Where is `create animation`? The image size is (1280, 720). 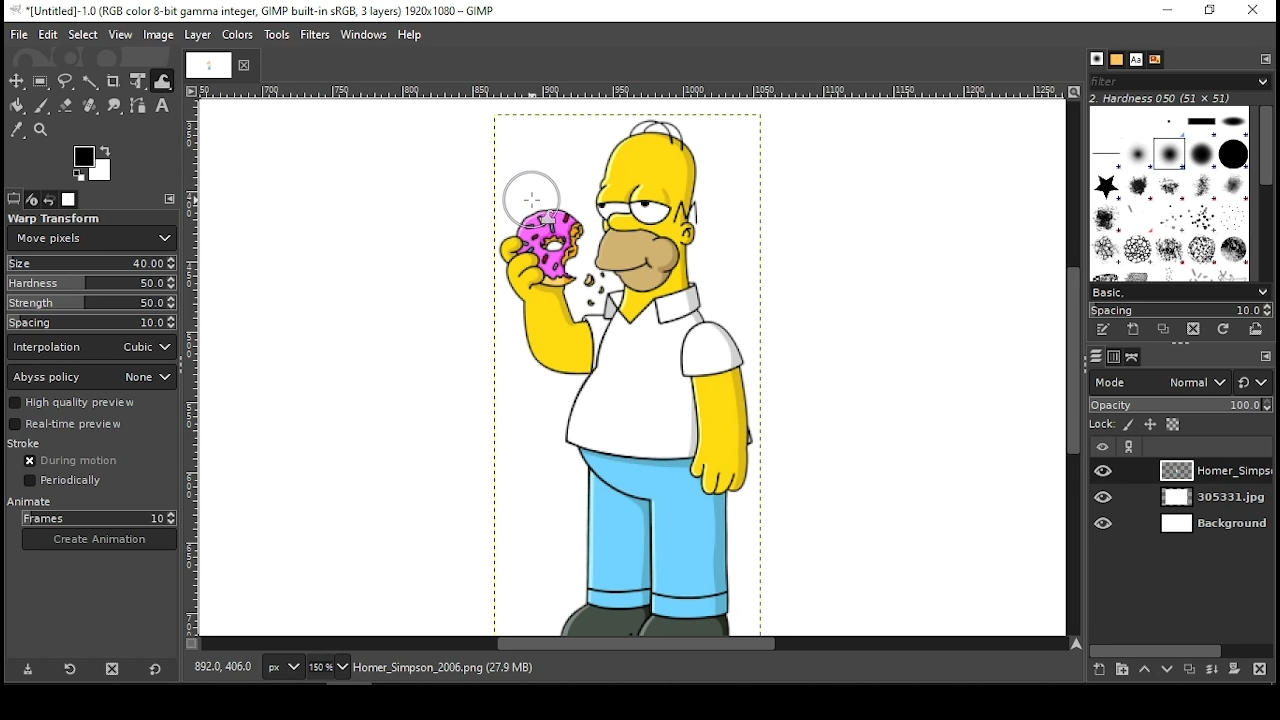
create animation is located at coordinates (98, 538).